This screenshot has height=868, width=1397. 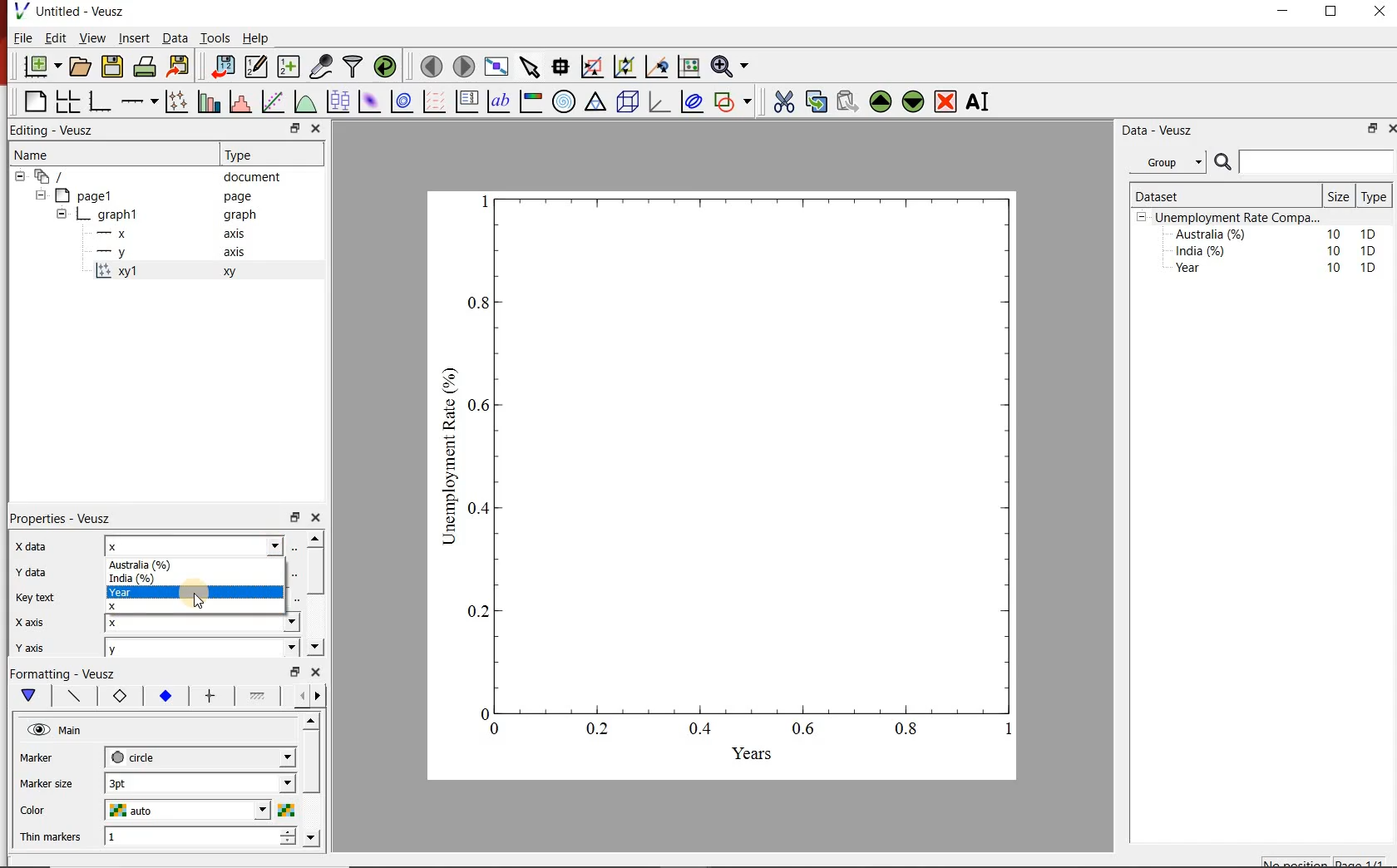 I want to click on minimise, so click(x=294, y=516).